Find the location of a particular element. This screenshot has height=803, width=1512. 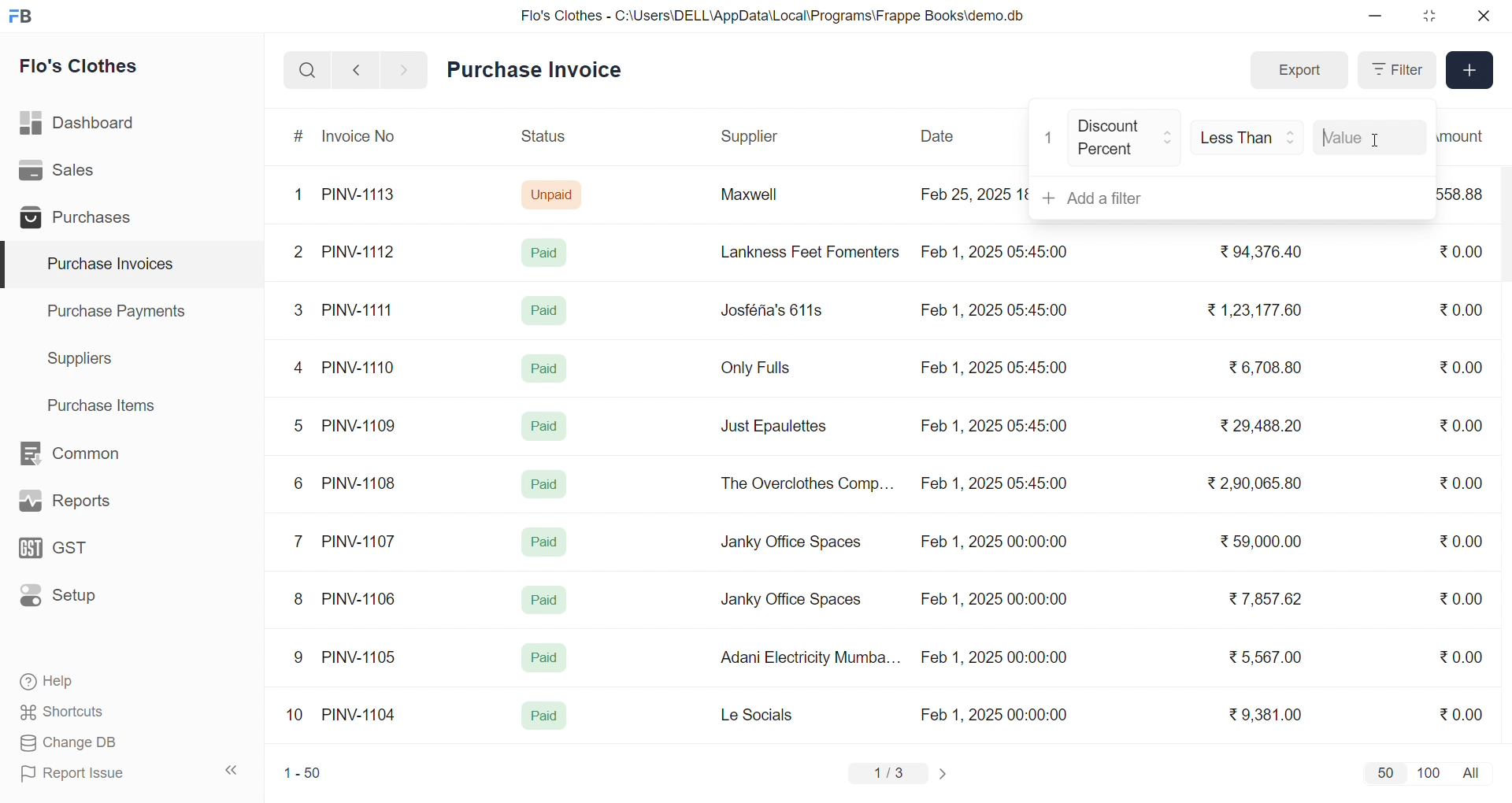

100 is located at coordinates (1426, 772).